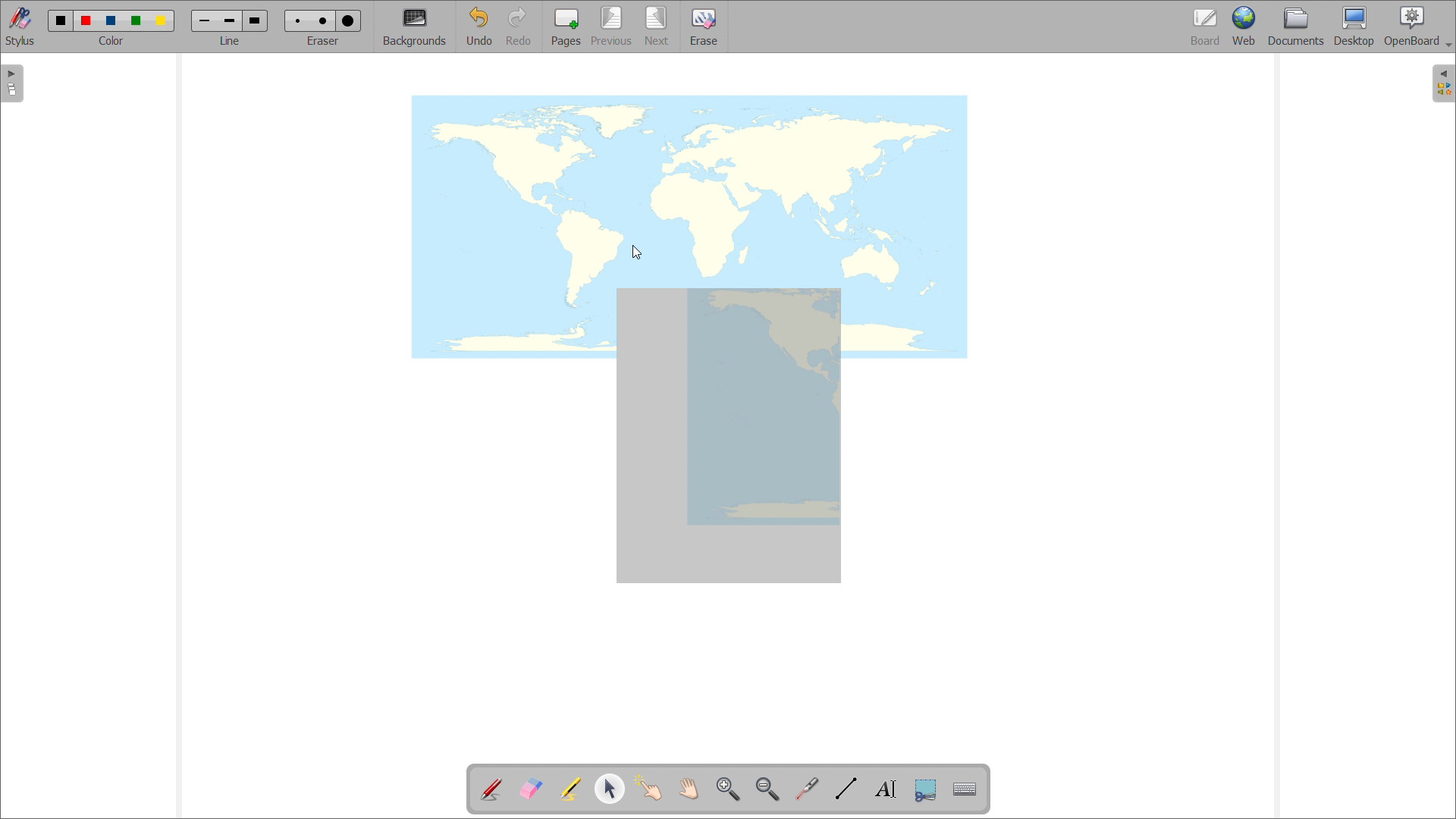  Describe the element at coordinates (163, 21) in the screenshot. I see `yellow` at that location.